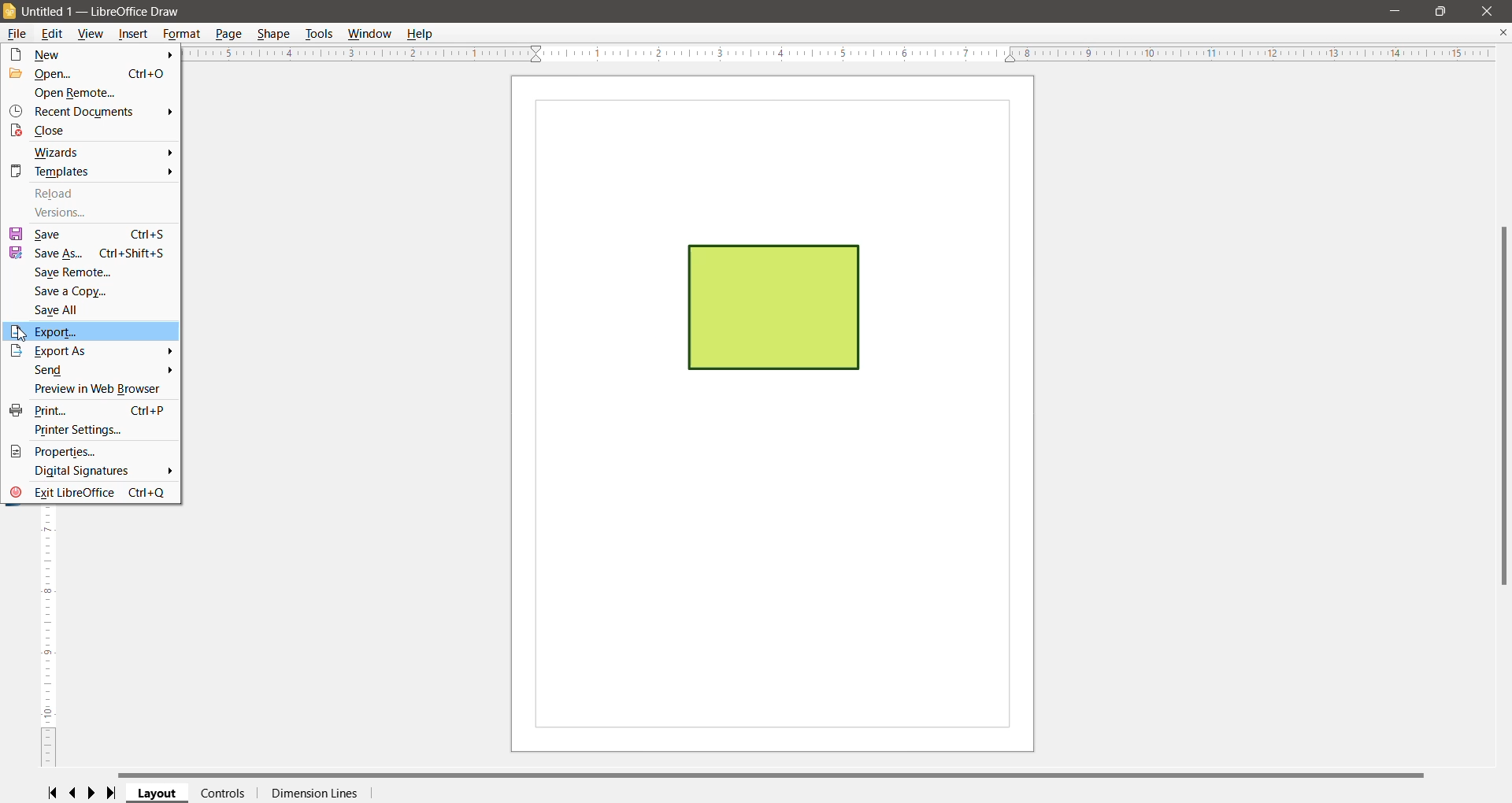 The image size is (1512, 803). What do you see at coordinates (93, 34) in the screenshot?
I see `View` at bounding box center [93, 34].